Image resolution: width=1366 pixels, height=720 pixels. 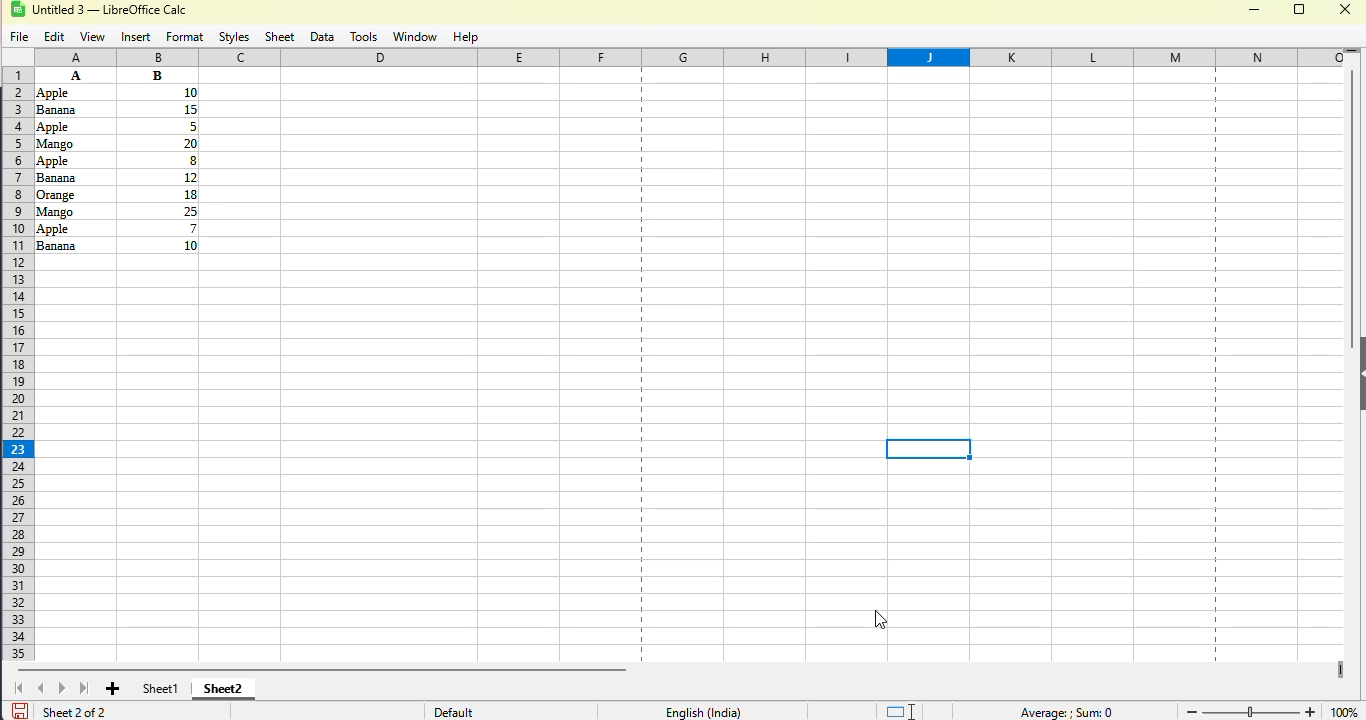 What do you see at coordinates (1254, 10) in the screenshot?
I see `minimize` at bounding box center [1254, 10].